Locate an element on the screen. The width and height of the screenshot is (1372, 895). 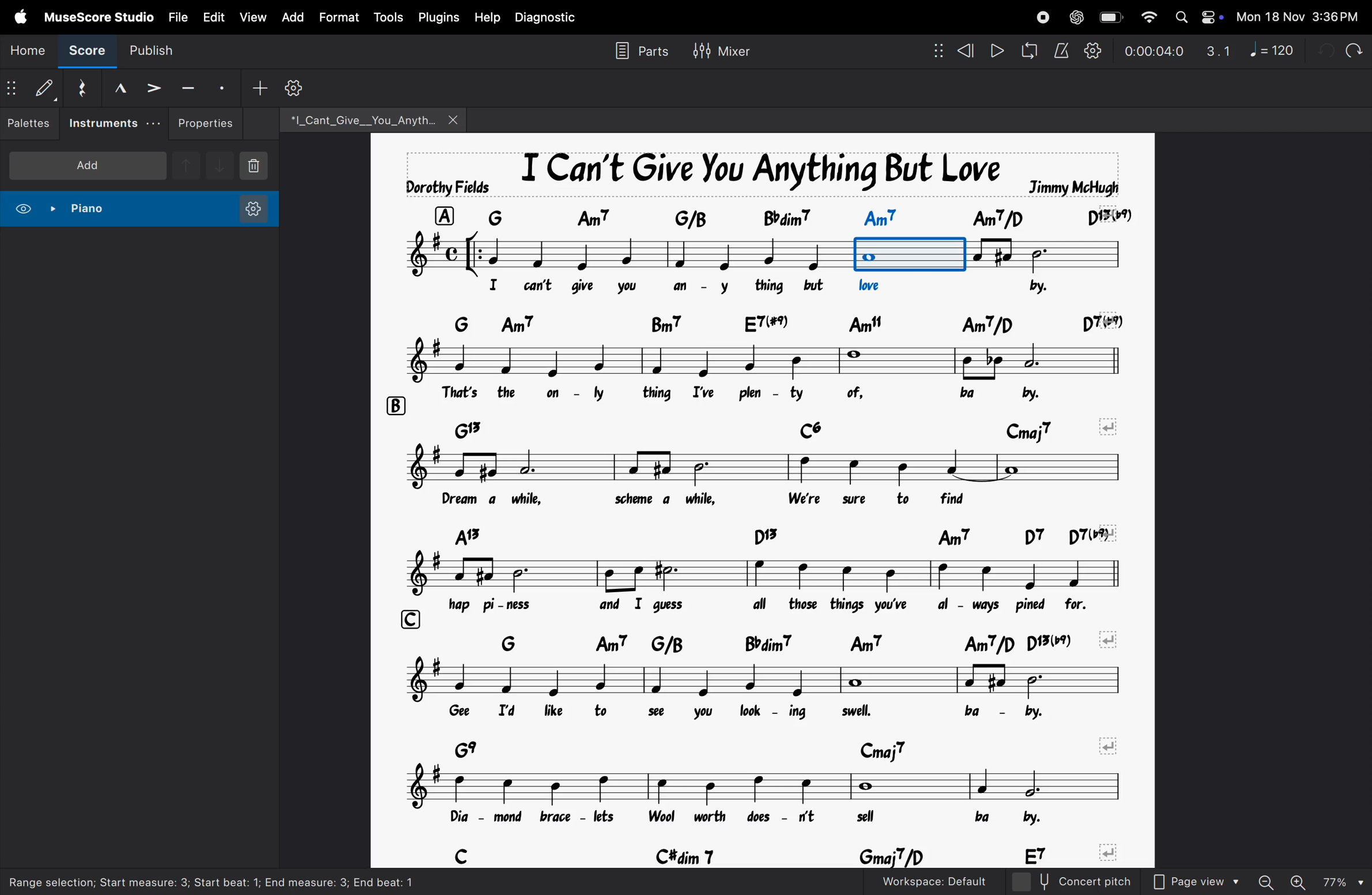
accent is located at coordinates (154, 89).